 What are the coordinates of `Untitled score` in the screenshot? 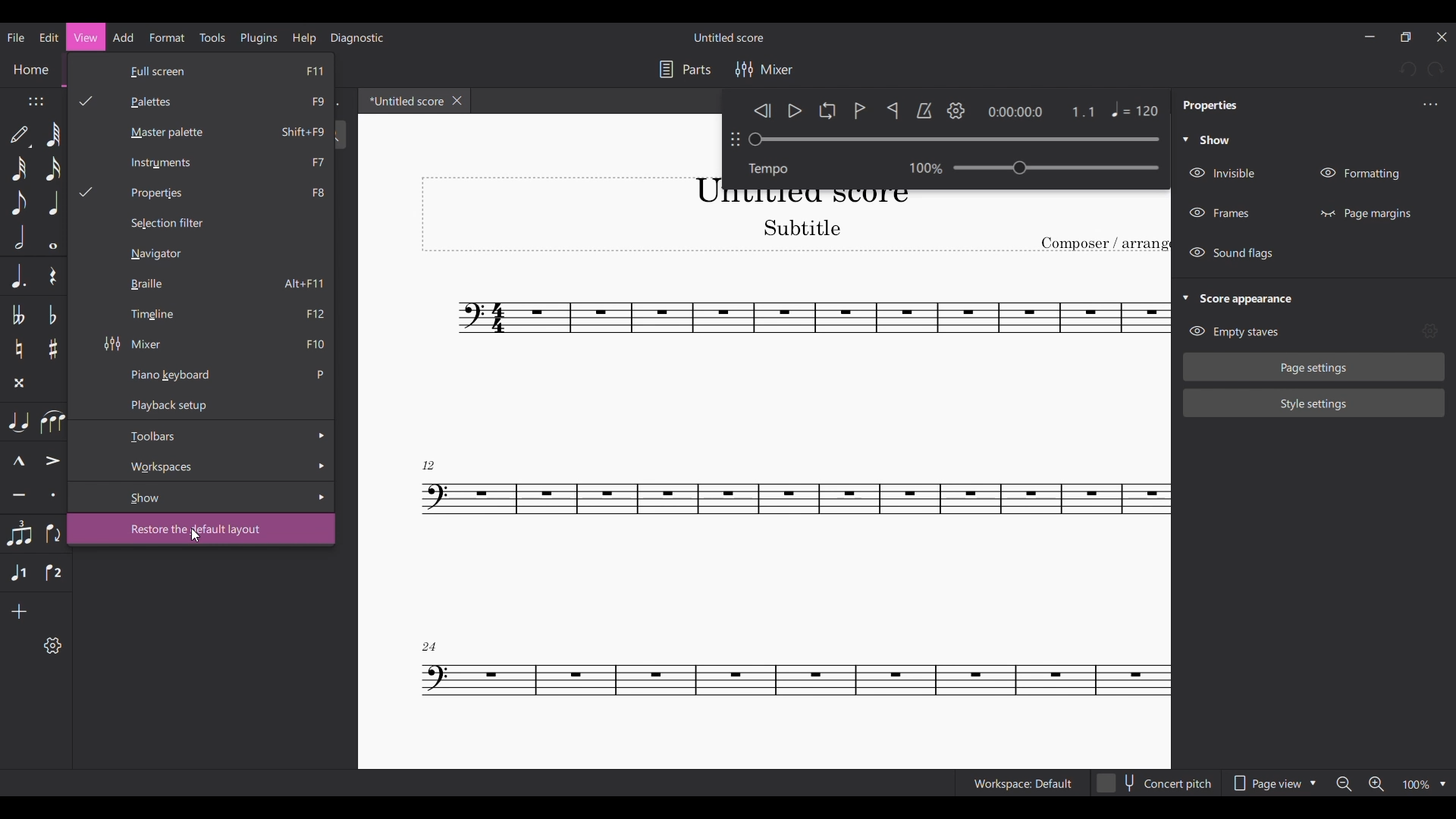 It's located at (728, 37).